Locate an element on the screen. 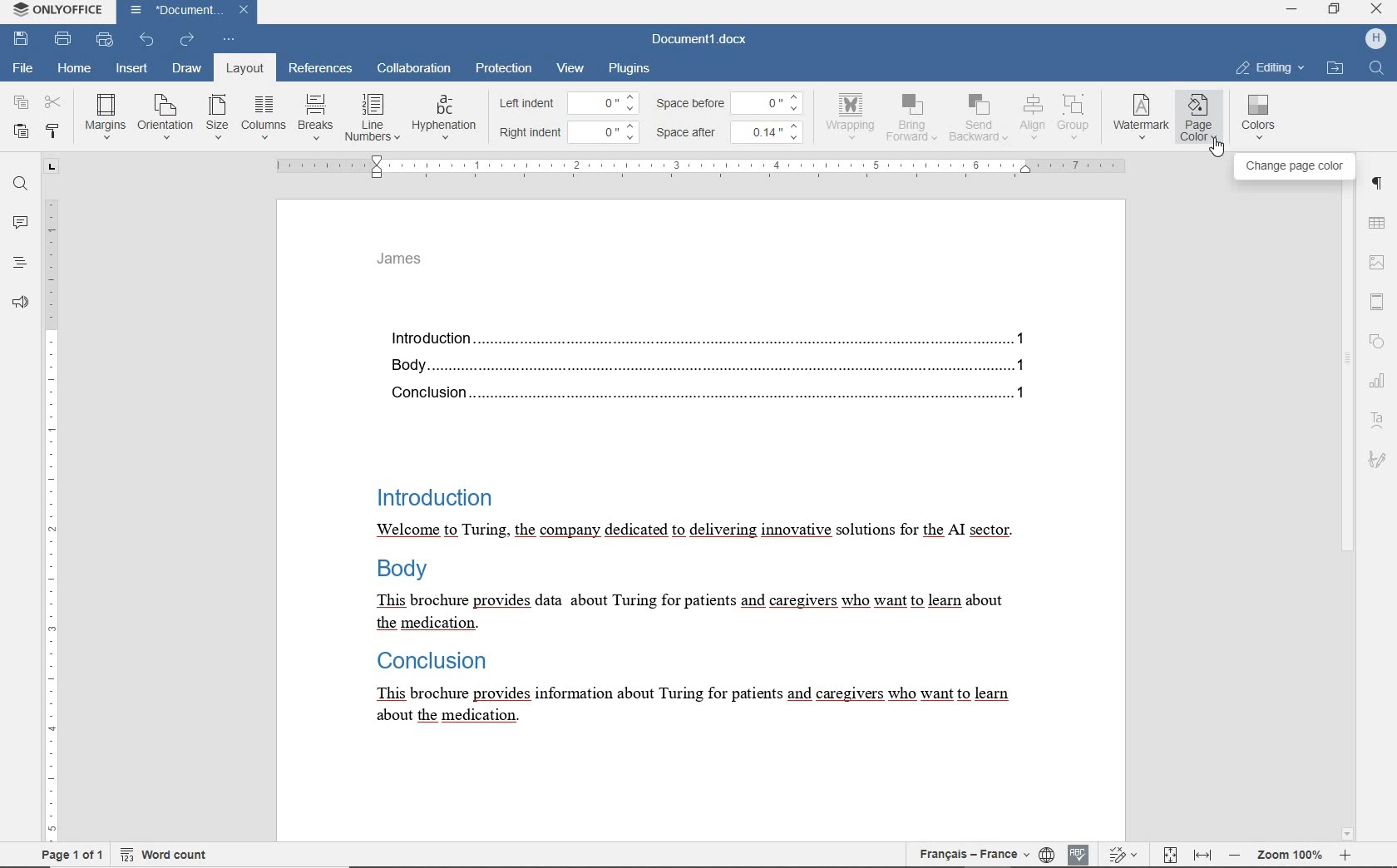  columns is located at coordinates (263, 120).